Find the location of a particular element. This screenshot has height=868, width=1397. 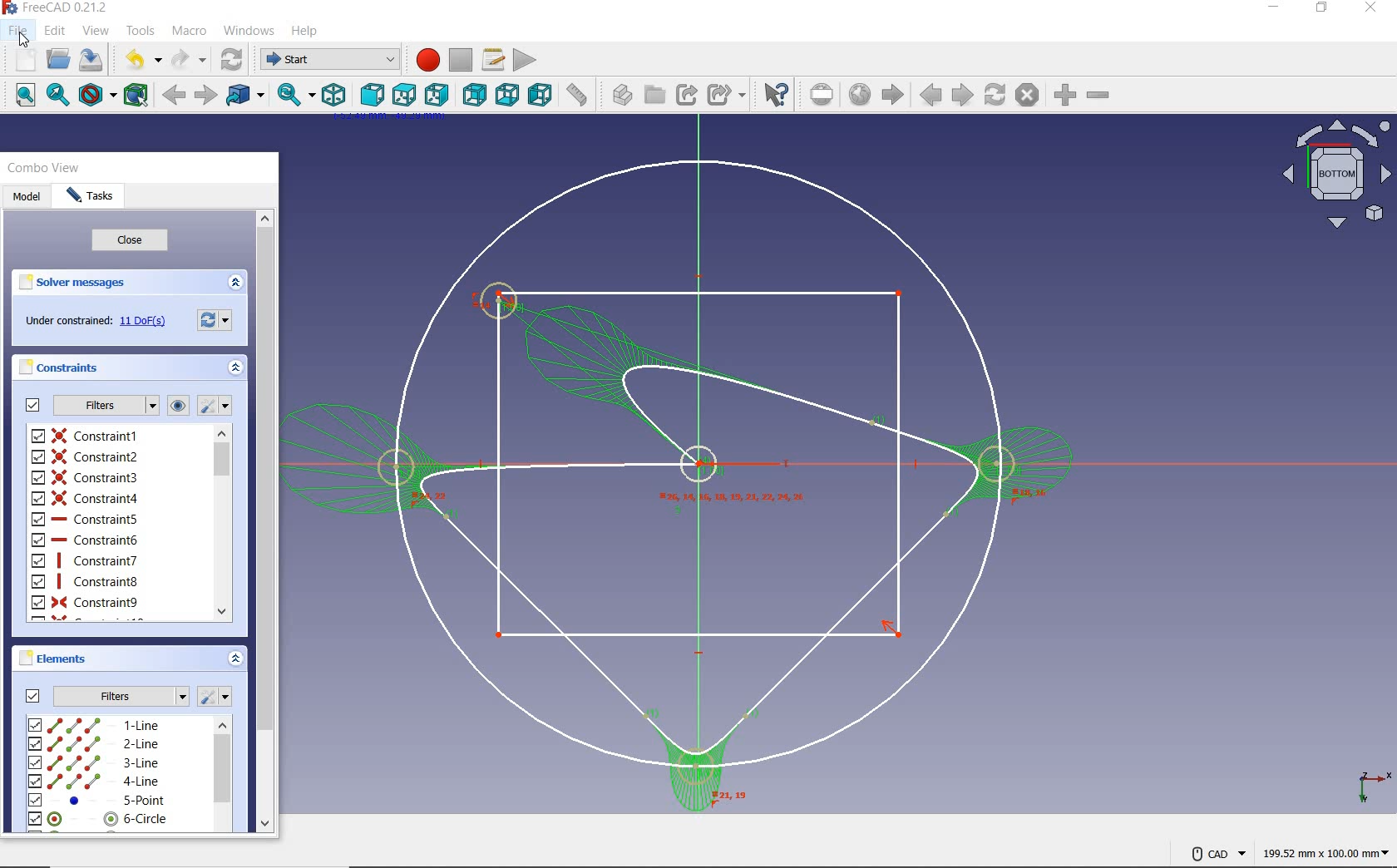

fit selection is located at coordinates (57, 95).